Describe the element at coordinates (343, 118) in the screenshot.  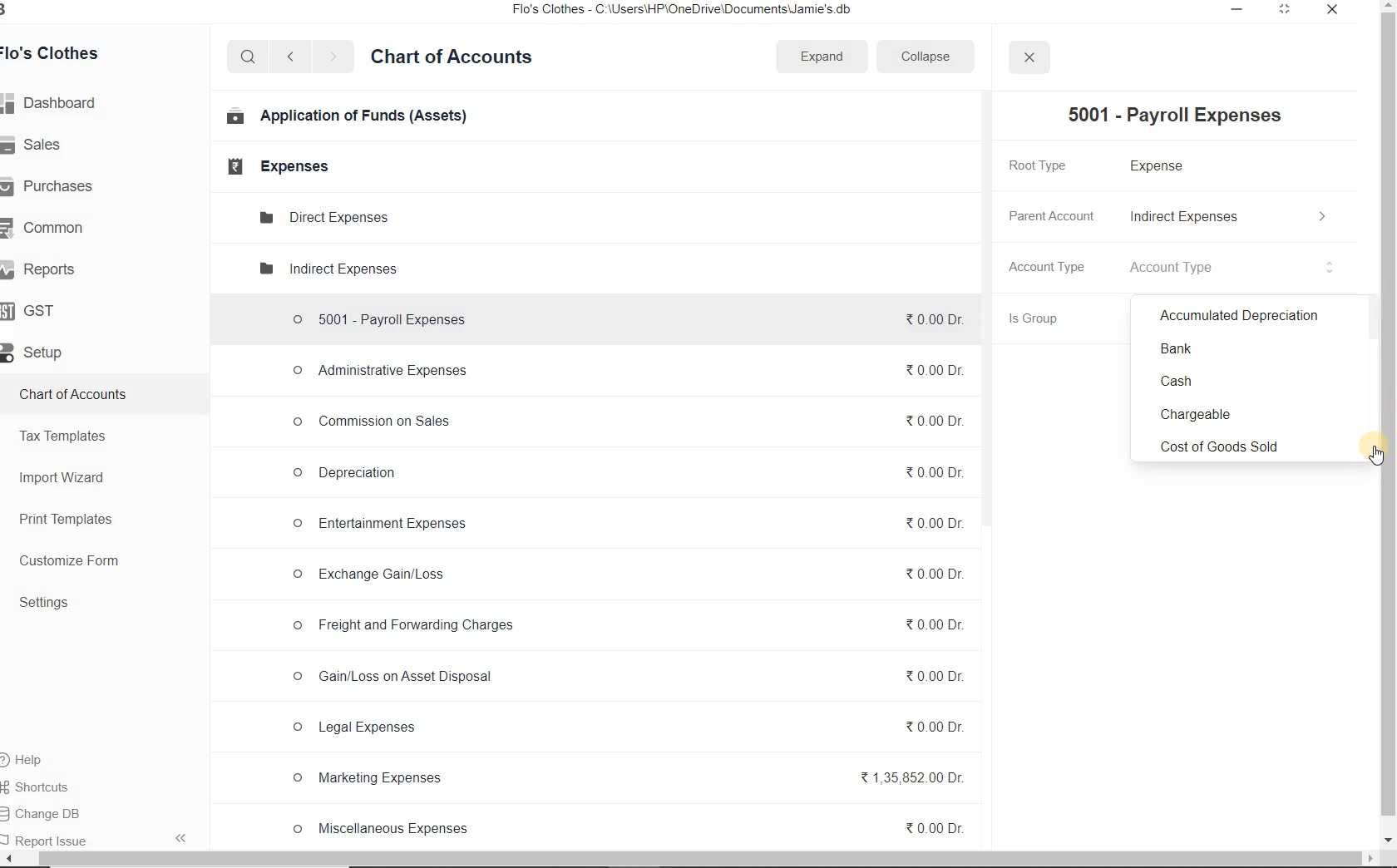
I see `Application of Funds (Assets)` at that location.